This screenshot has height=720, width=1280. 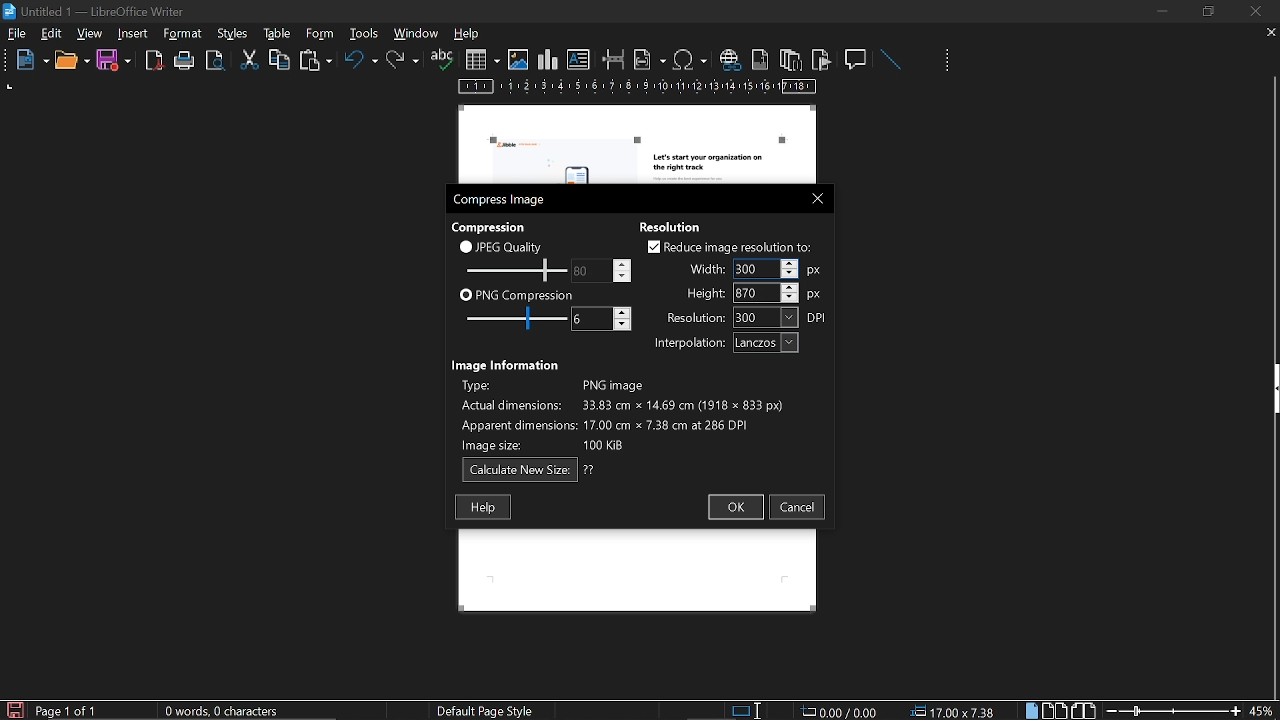 What do you see at coordinates (529, 470) in the screenshot?
I see `calculate new size` at bounding box center [529, 470].